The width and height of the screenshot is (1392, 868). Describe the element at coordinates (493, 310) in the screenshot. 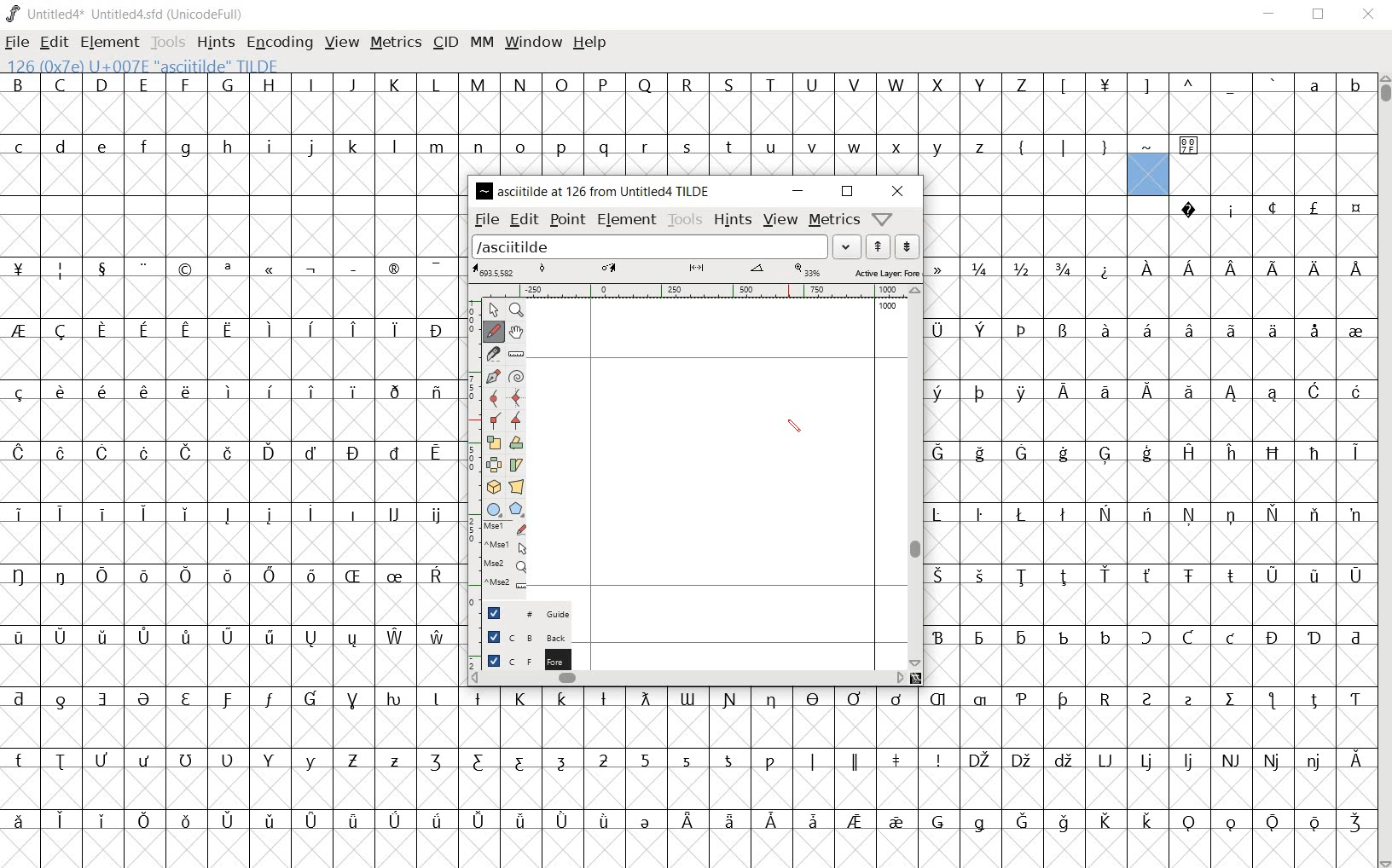

I see `pointer` at that location.